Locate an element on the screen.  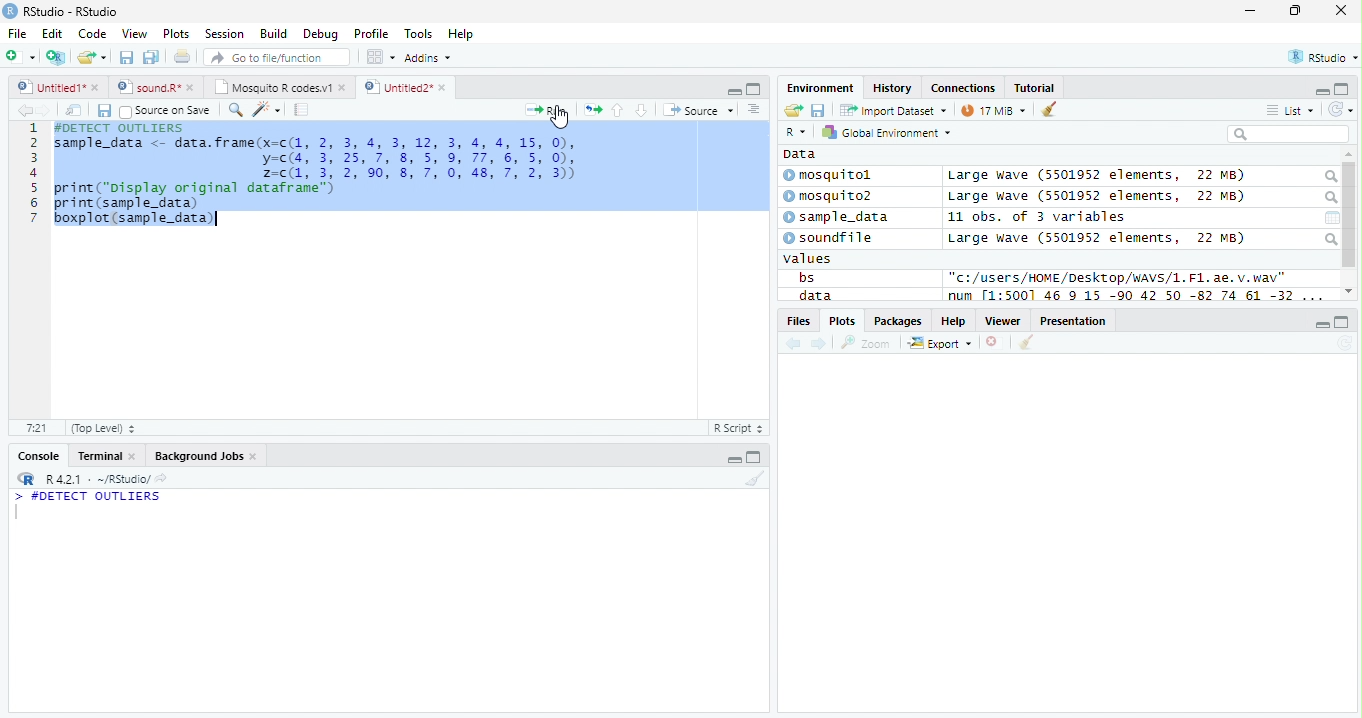
R 4.2.1 - ~/RStudio/ is located at coordinates (98, 481).